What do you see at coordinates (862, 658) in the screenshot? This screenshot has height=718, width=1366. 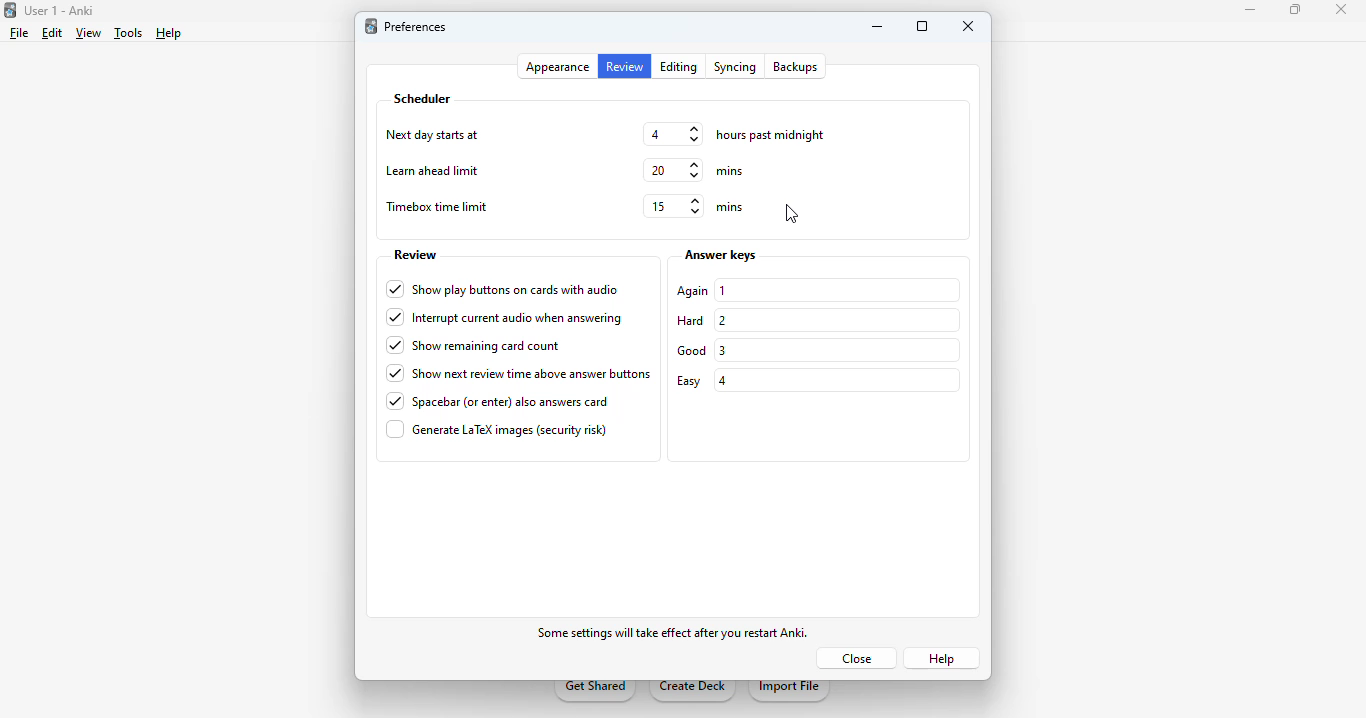 I see `close` at bounding box center [862, 658].